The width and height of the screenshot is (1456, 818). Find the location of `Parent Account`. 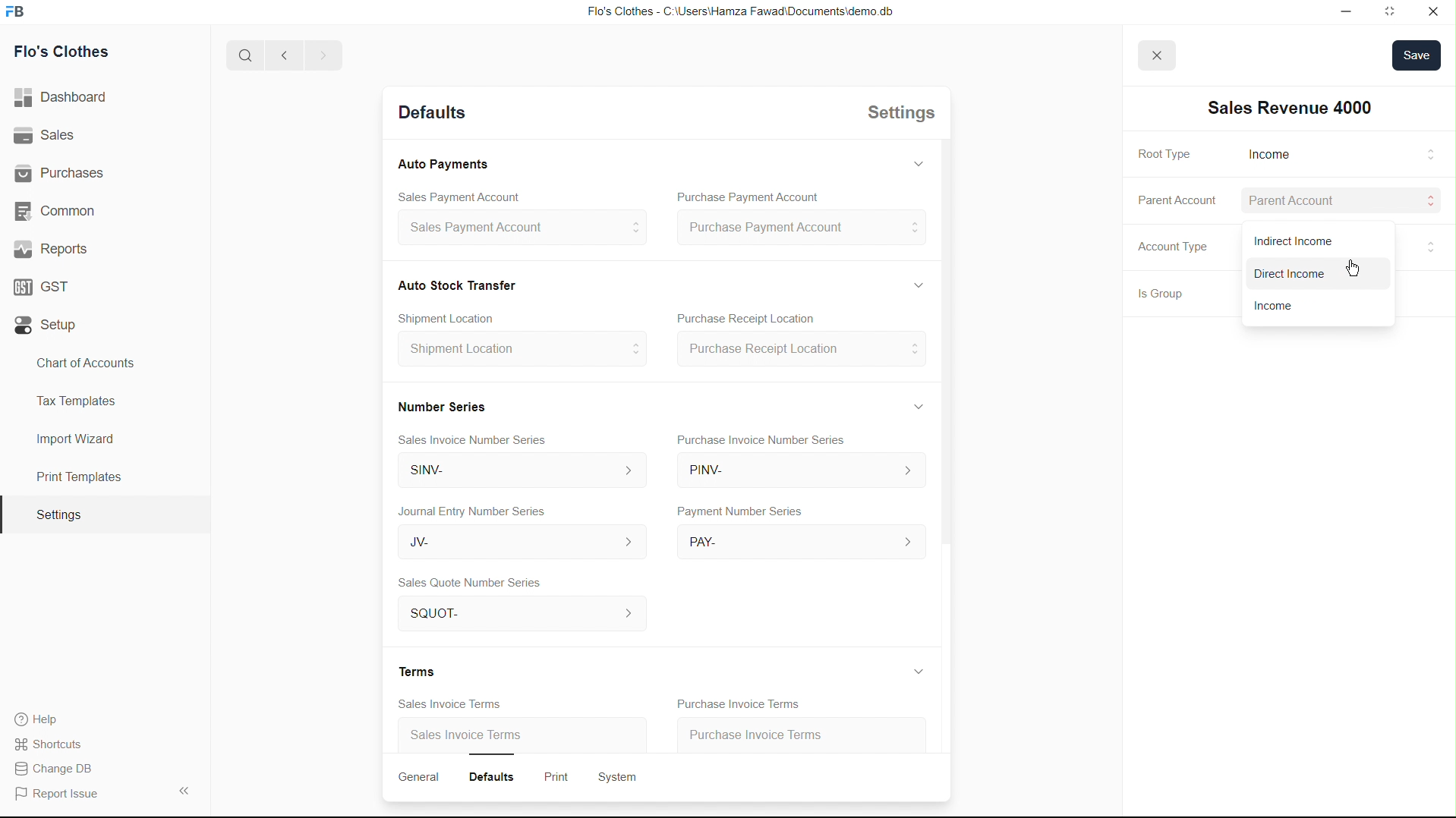

Parent Account is located at coordinates (1175, 199).